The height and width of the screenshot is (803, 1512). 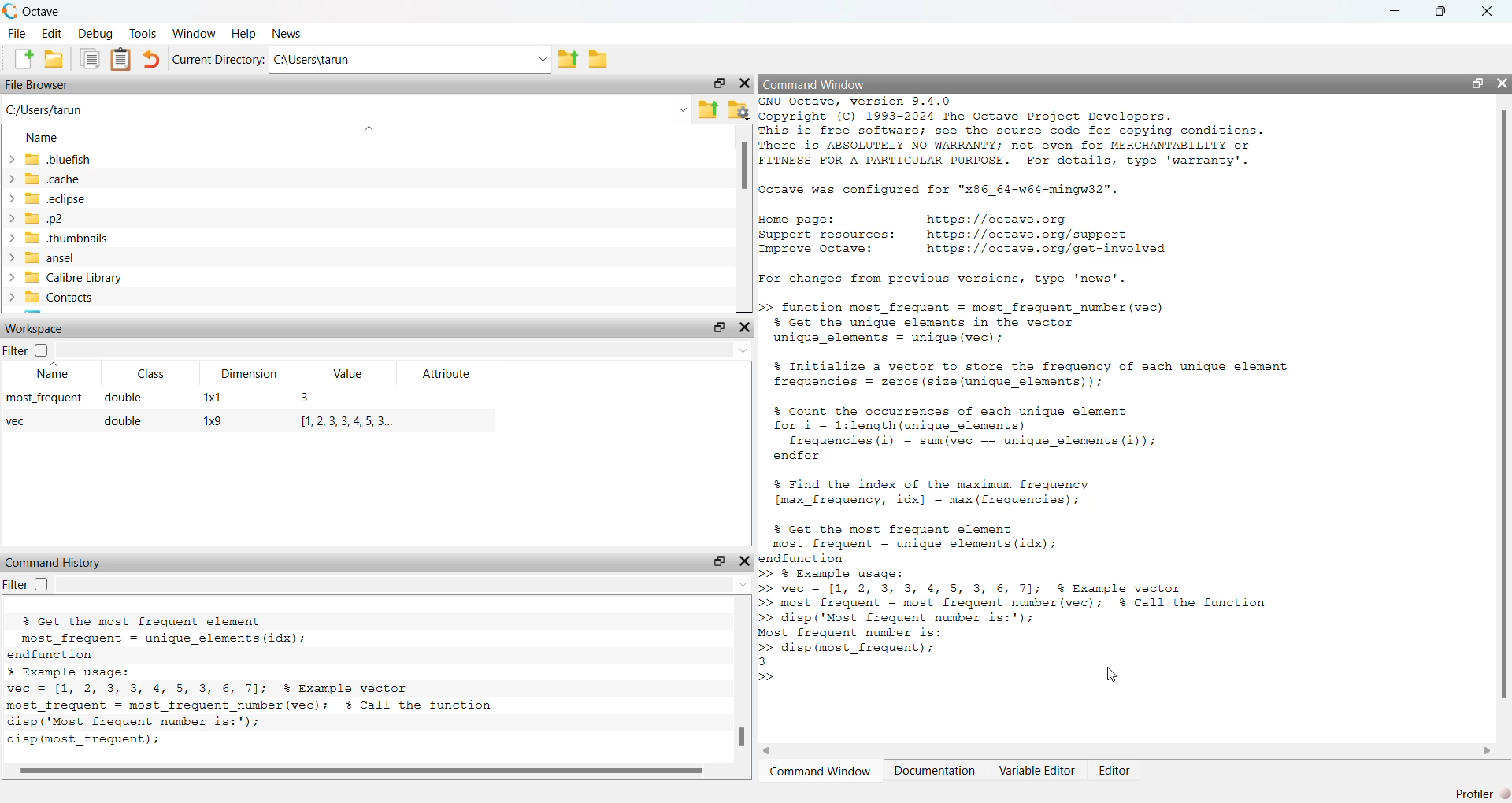 What do you see at coordinates (39, 328) in the screenshot?
I see `Workspace` at bounding box center [39, 328].